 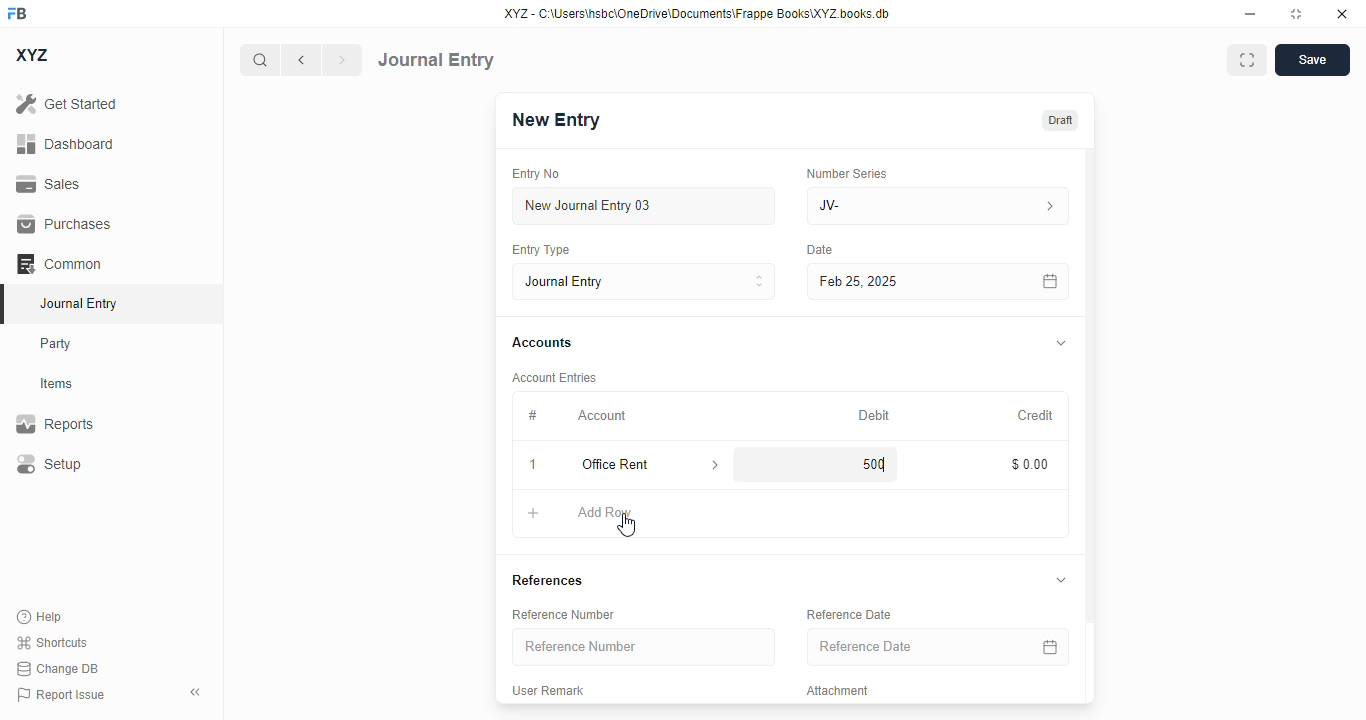 What do you see at coordinates (77, 303) in the screenshot?
I see `journal entry` at bounding box center [77, 303].